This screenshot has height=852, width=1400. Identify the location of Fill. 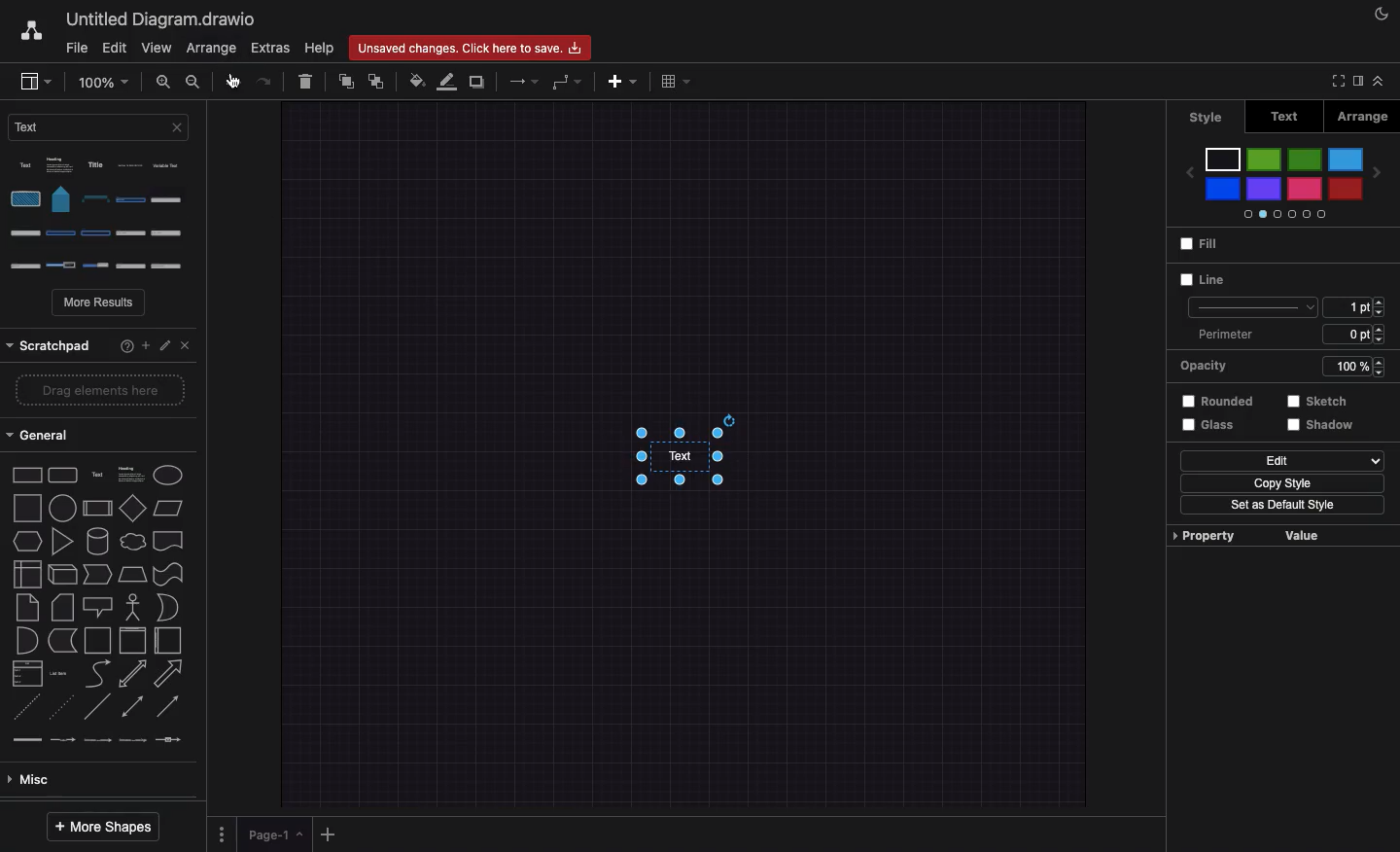
(1198, 246).